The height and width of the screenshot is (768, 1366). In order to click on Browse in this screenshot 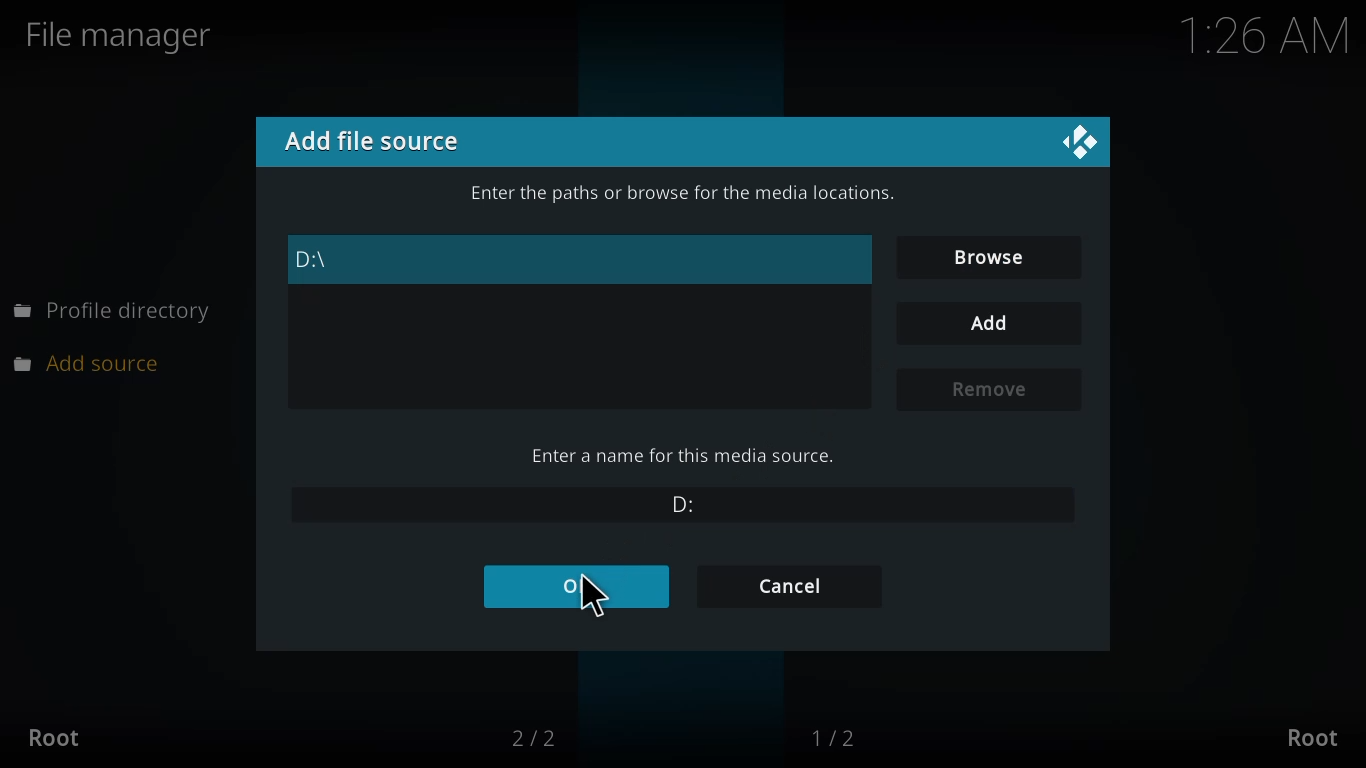, I will do `click(983, 255)`.